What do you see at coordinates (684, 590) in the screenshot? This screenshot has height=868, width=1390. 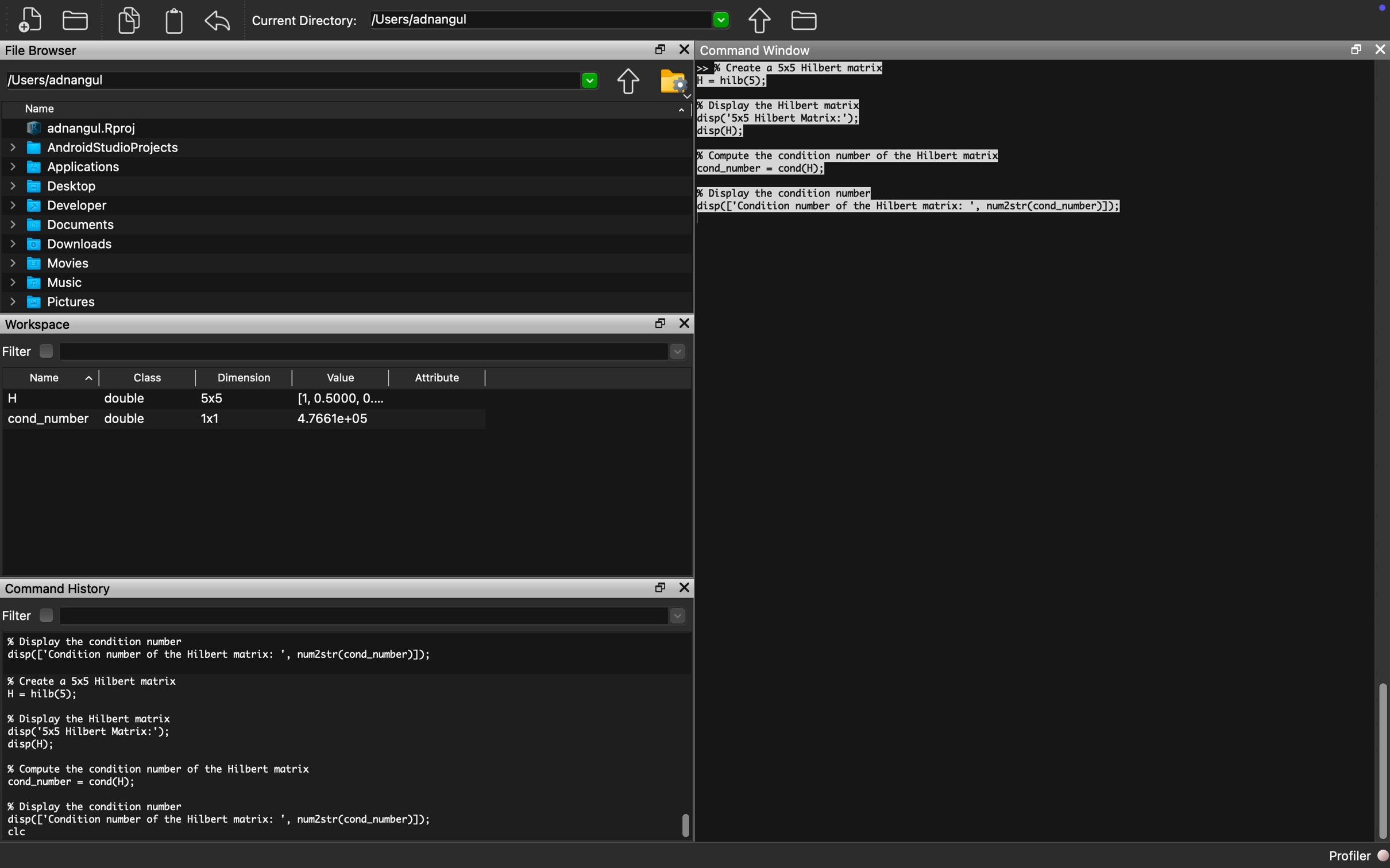 I see `Close` at bounding box center [684, 590].